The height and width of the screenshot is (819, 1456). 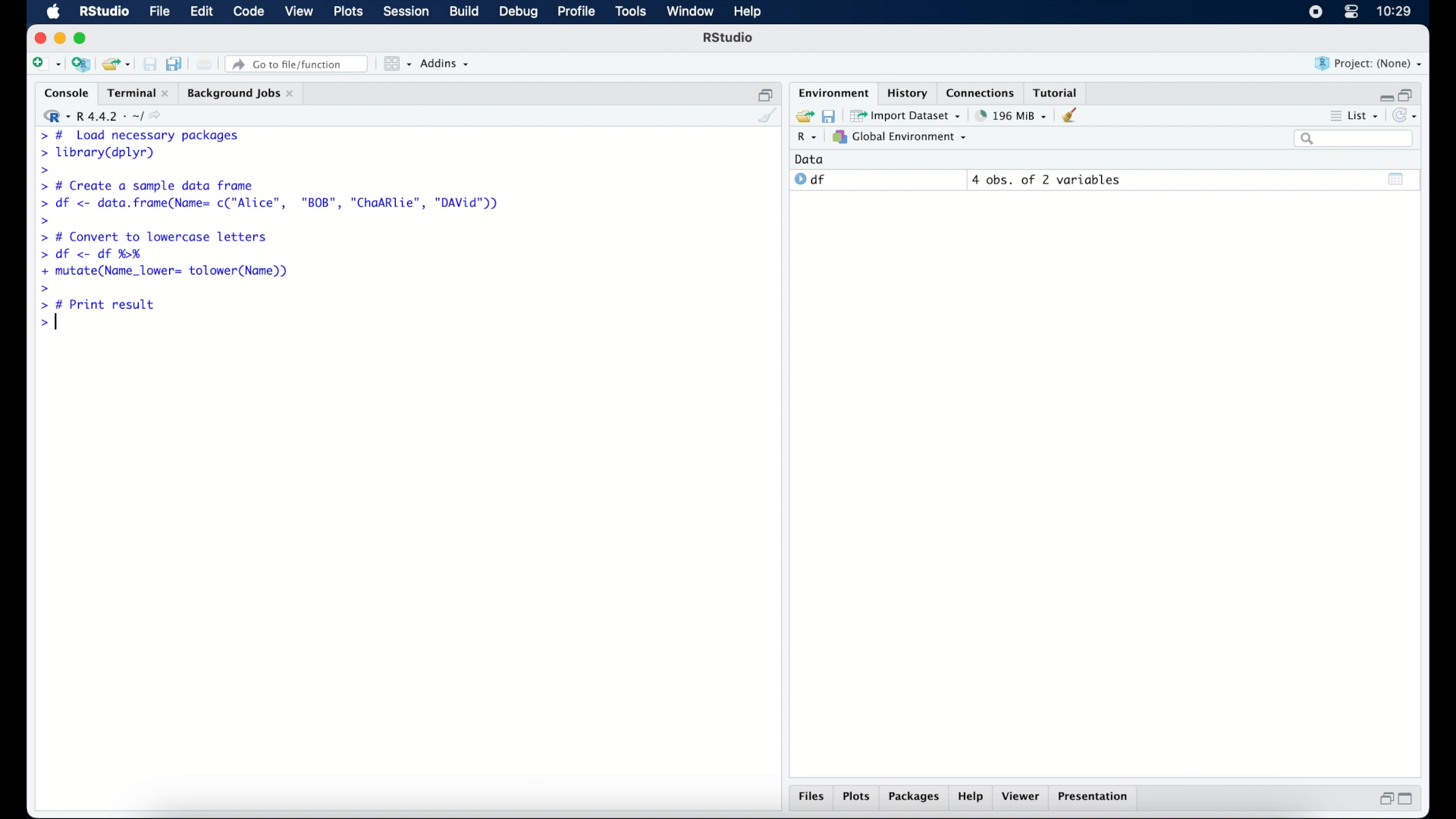 What do you see at coordinates (900, 137) in the screenshot?
I see `global environment` at bounding box center [900, 137].